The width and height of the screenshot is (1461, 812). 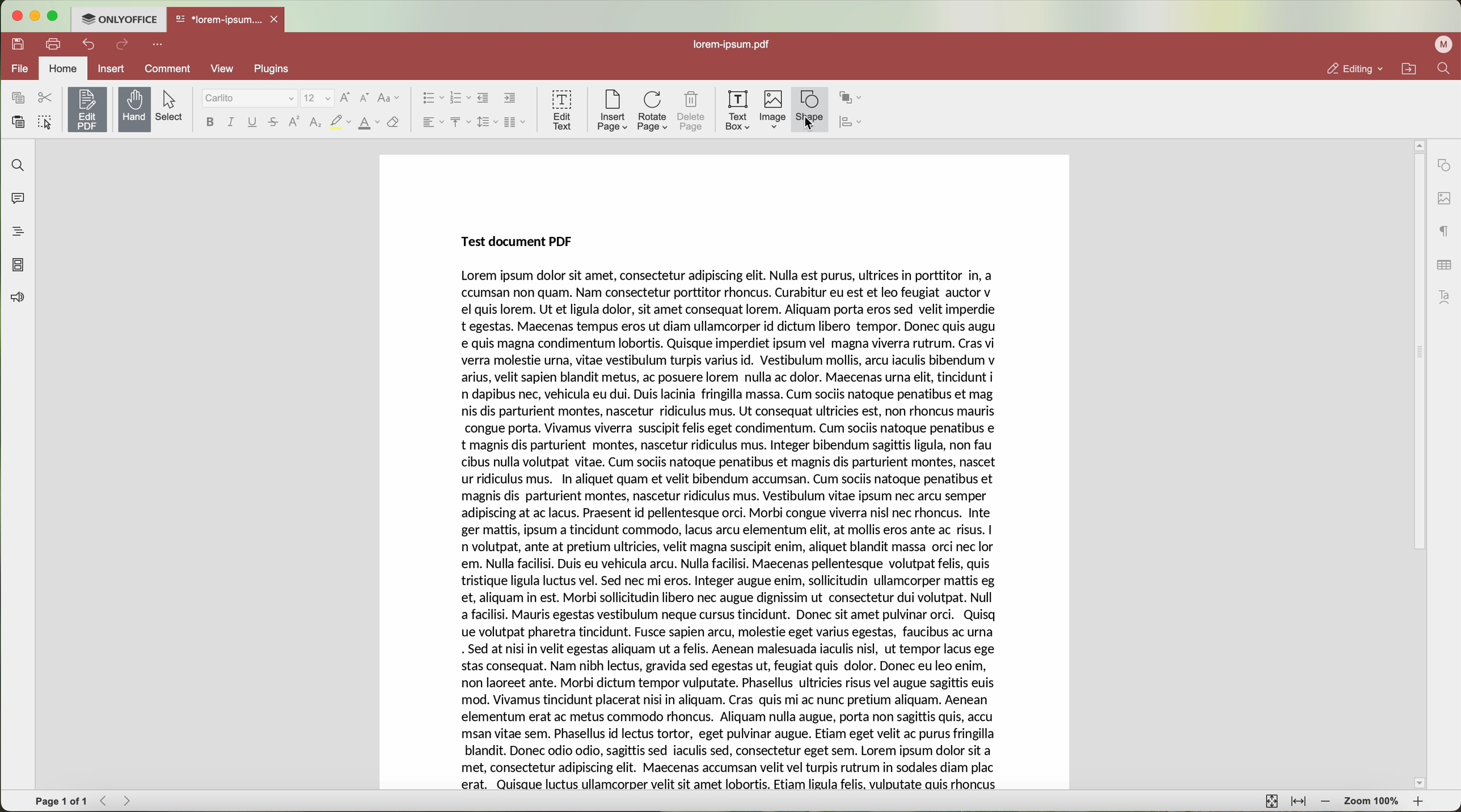 What do you see at coordinates (561, 109) in the screenshot?
I see `edit text` at bounding box center [561, 109].